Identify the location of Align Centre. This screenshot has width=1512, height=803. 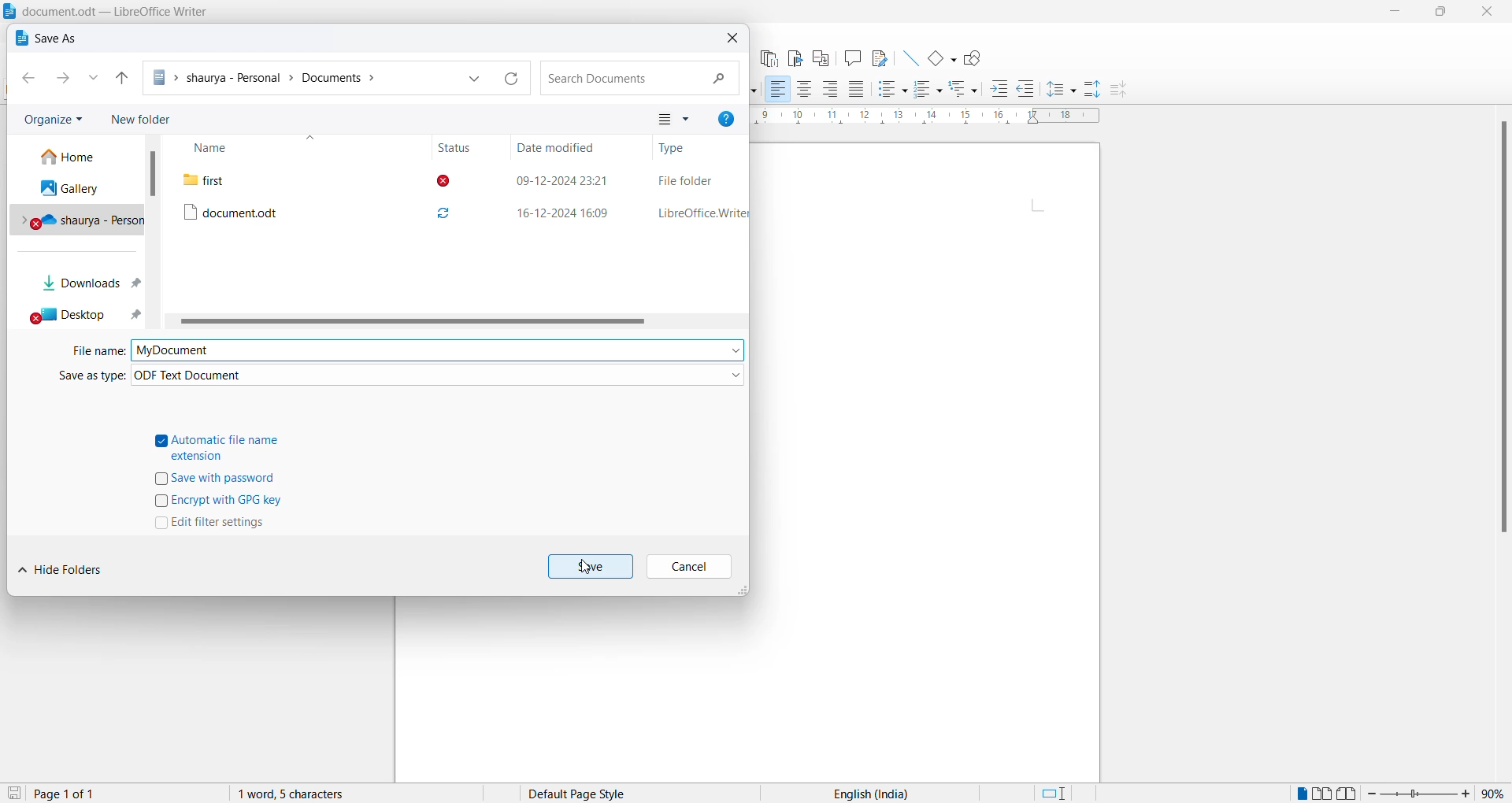
(804, 90).